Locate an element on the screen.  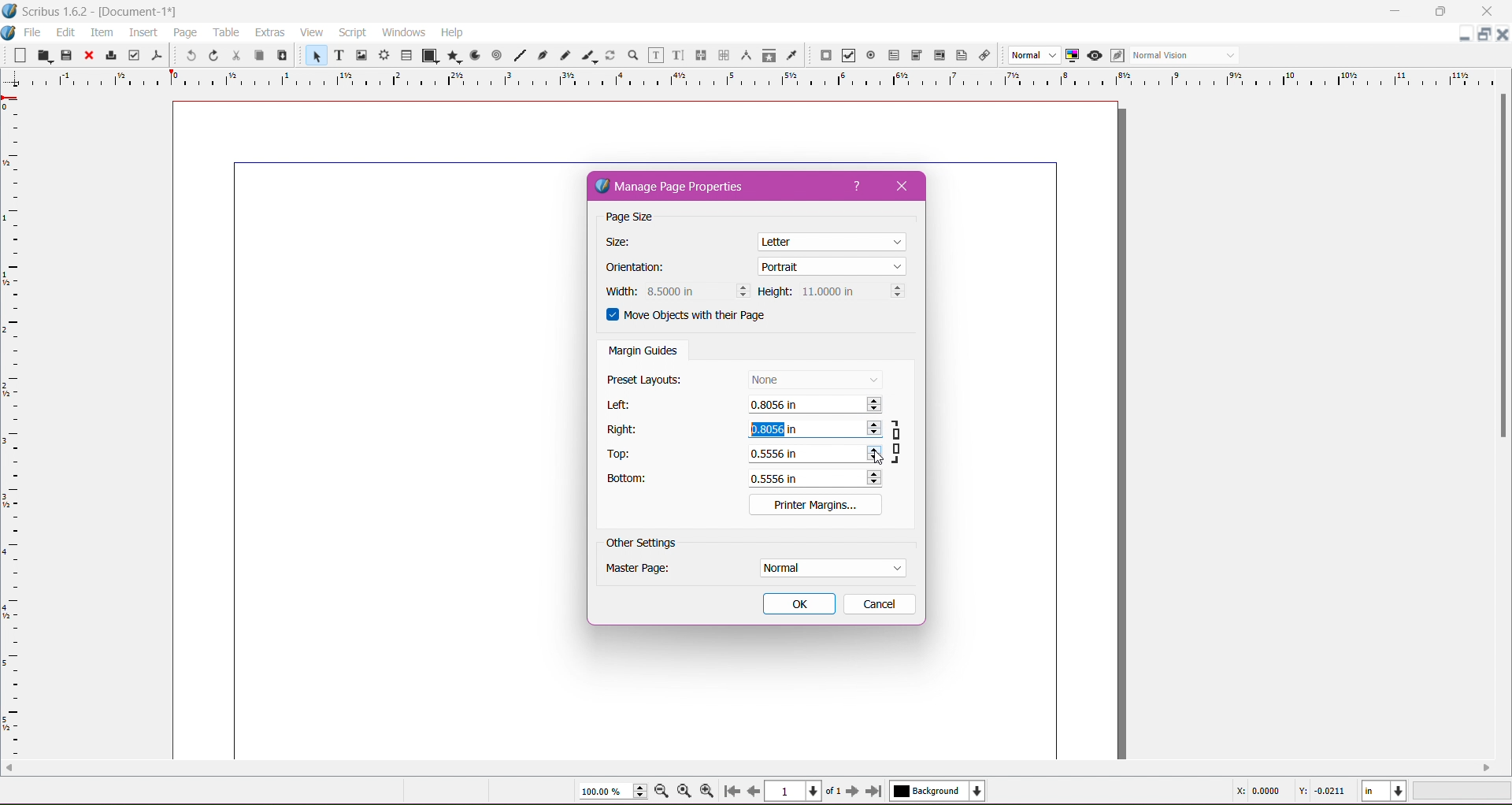
New is located at coordinates (15, 54).